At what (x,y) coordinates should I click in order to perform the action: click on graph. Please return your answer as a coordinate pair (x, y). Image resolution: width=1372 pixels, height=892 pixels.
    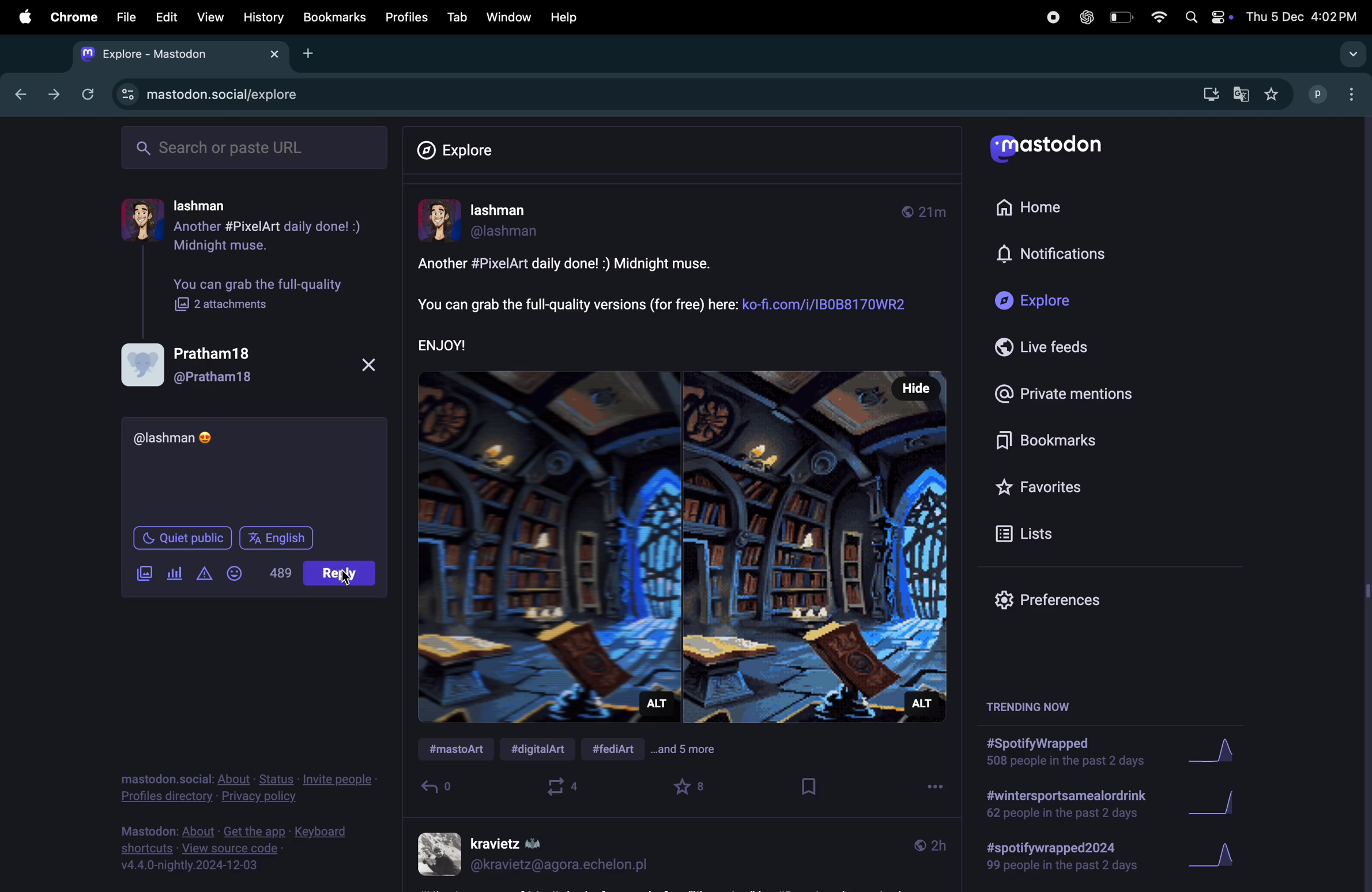
    Looking at the image, I should click on (1220, 859).